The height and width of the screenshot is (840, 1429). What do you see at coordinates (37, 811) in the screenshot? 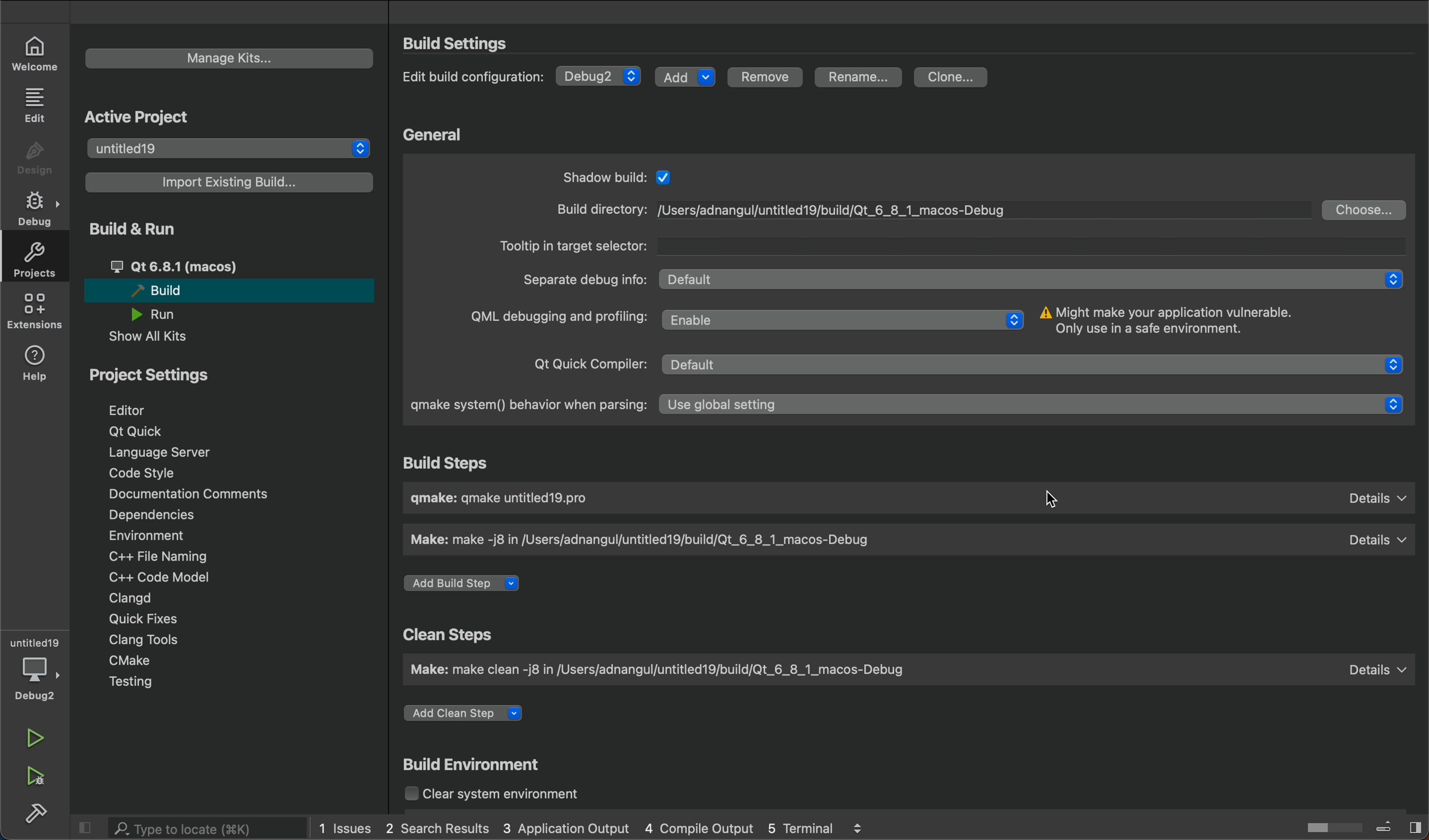
I see `build` at bounding box center [37, 811].